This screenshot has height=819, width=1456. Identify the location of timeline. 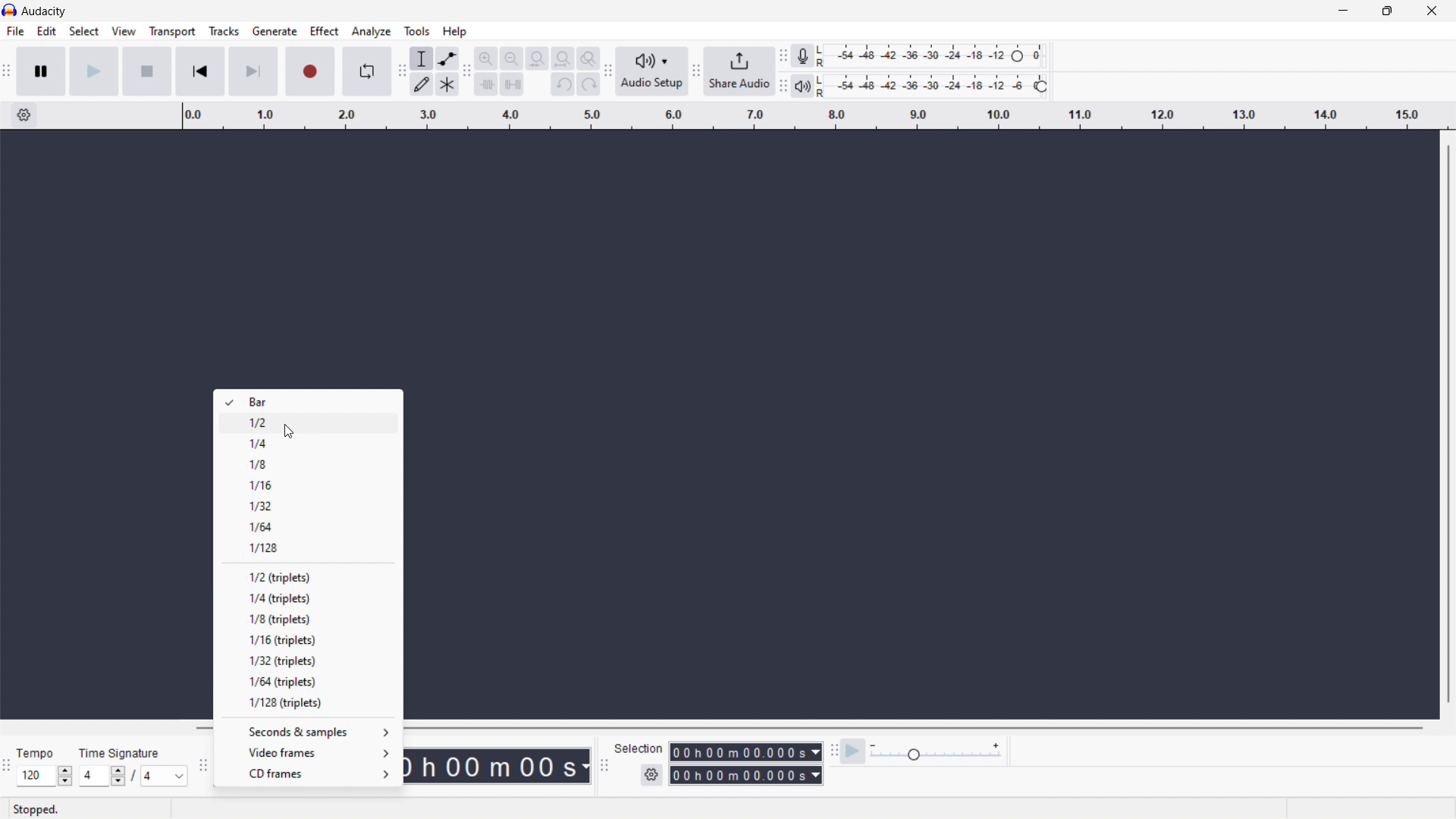
(813, 116).